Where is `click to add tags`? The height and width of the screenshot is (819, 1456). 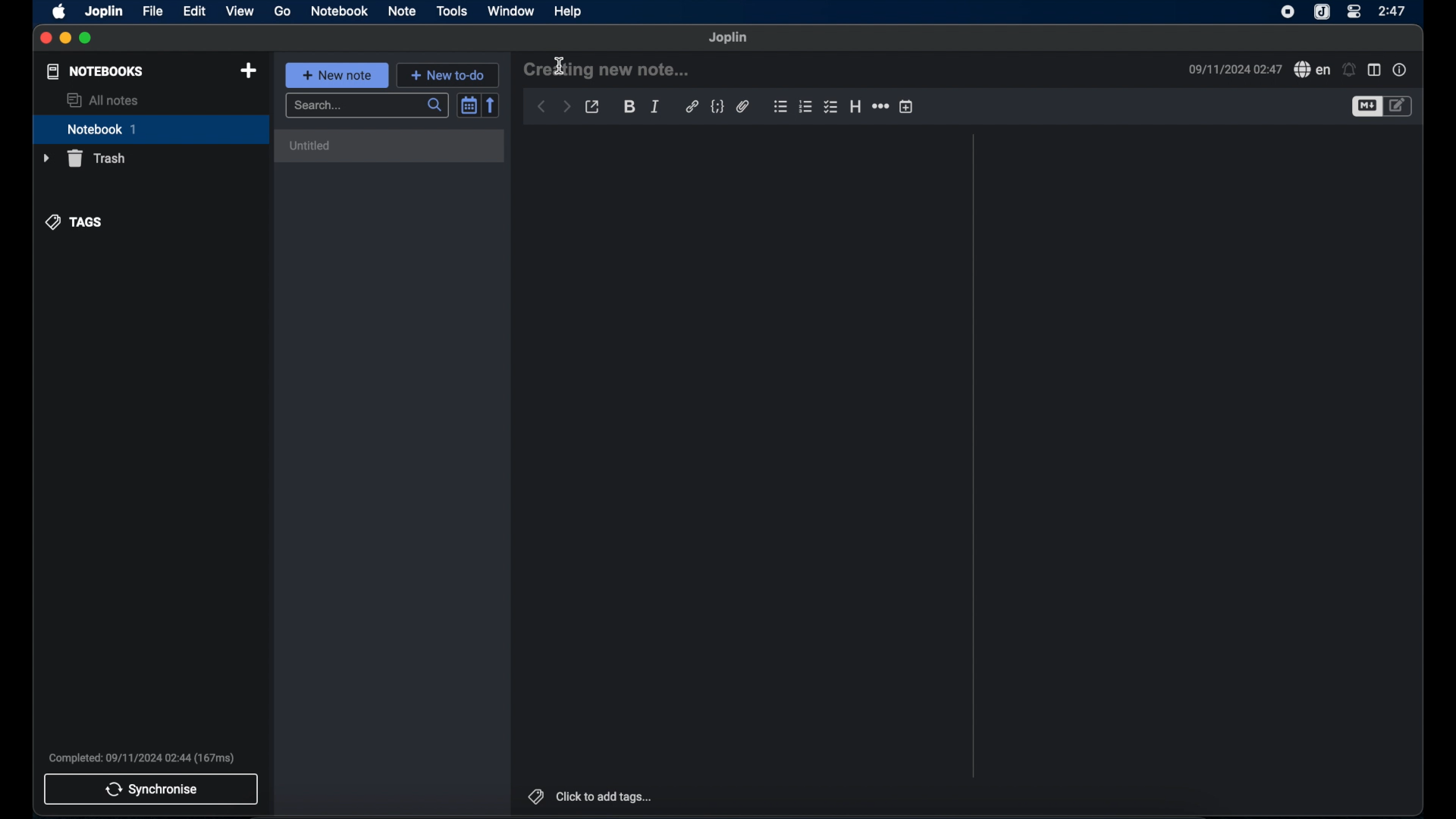
click to add tags is located at coordinates (592, 797).